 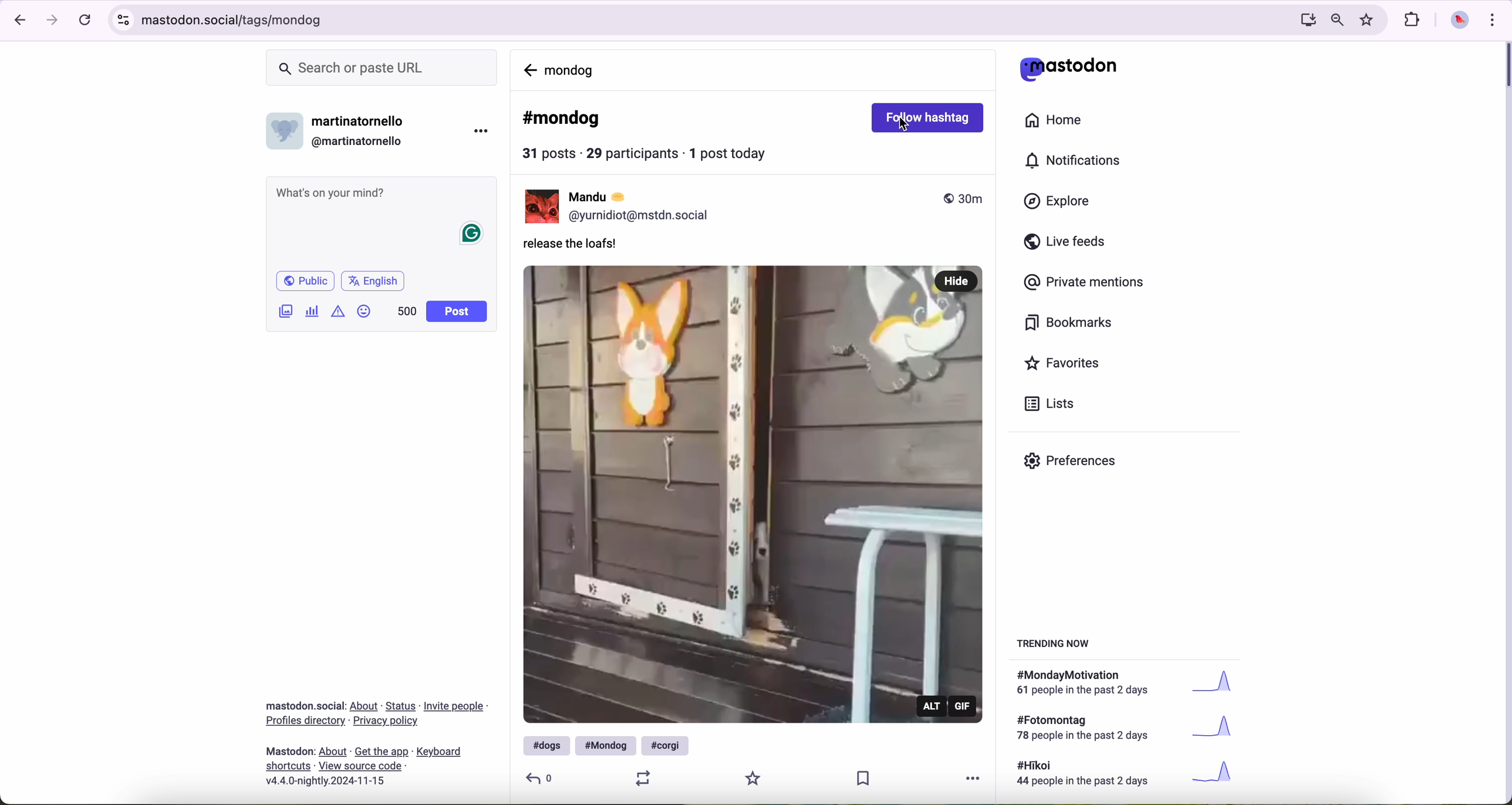 What do you see at coordinates (541, 777) in the screenshot?
I see `reply` at bounding box center [541, 777].